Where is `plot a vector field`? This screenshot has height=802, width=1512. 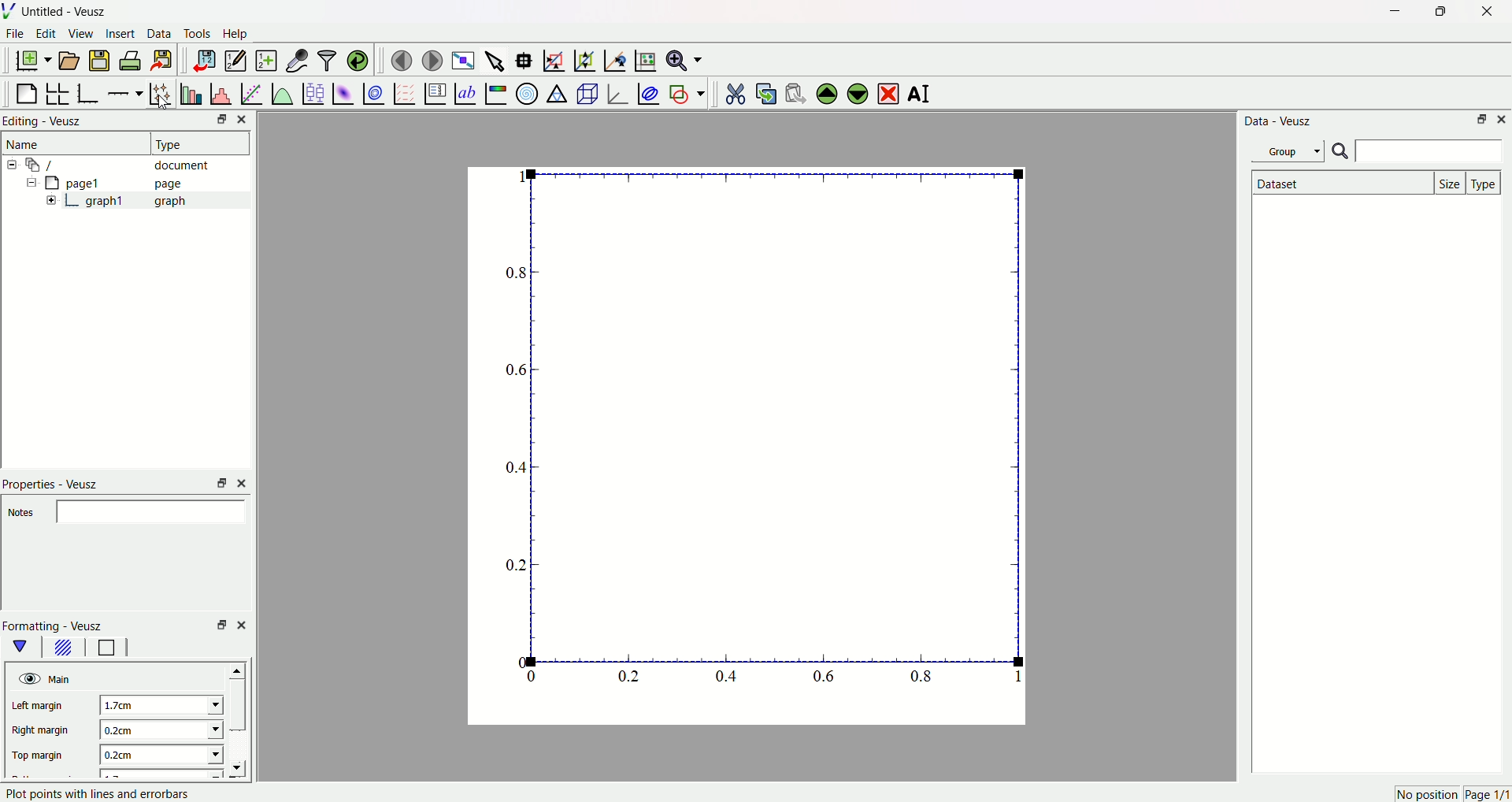
plot a vector field is located at coordinates (402, 93).